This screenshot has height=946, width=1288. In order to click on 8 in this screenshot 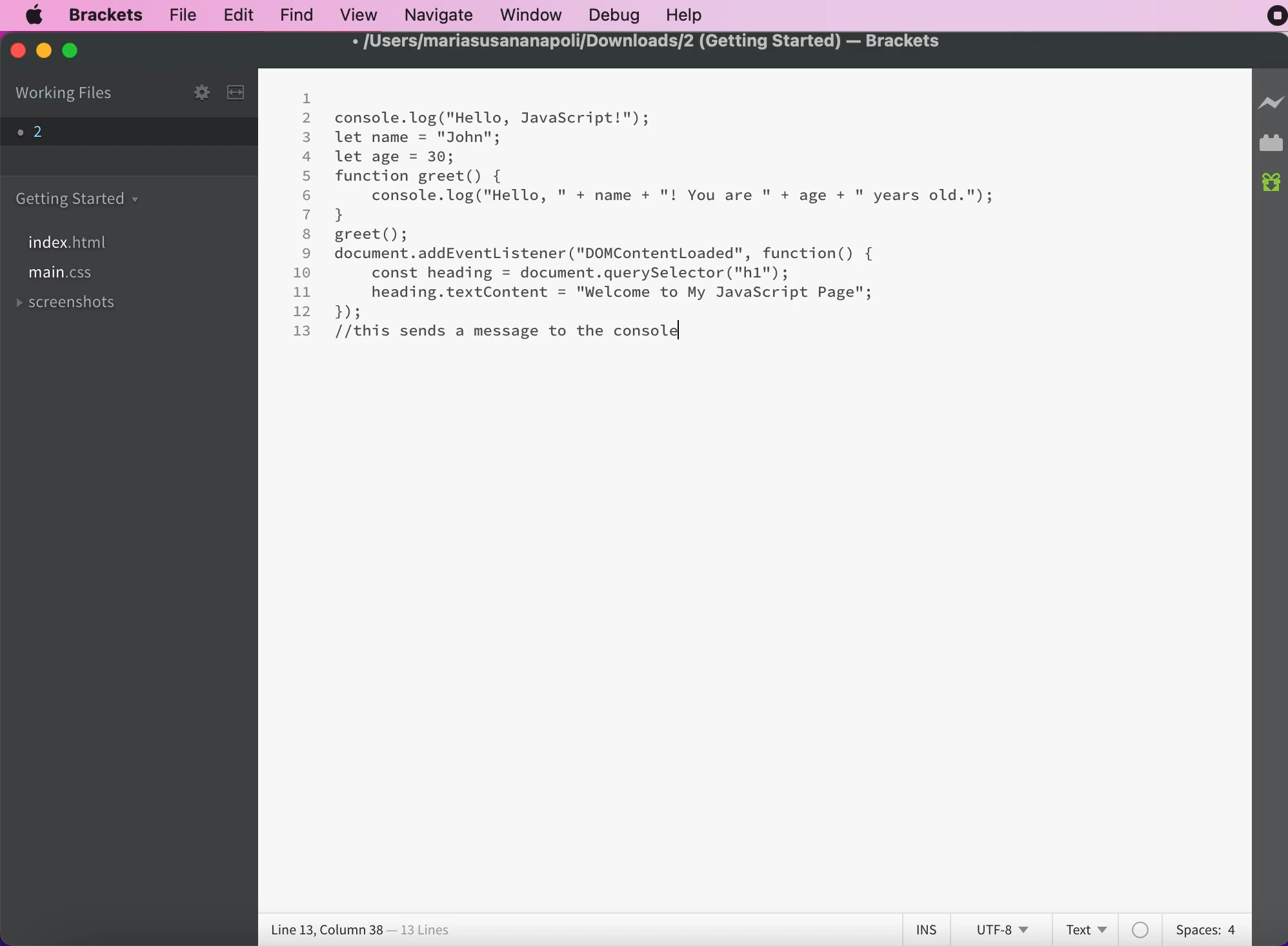, I will do `click(306, 233)`.